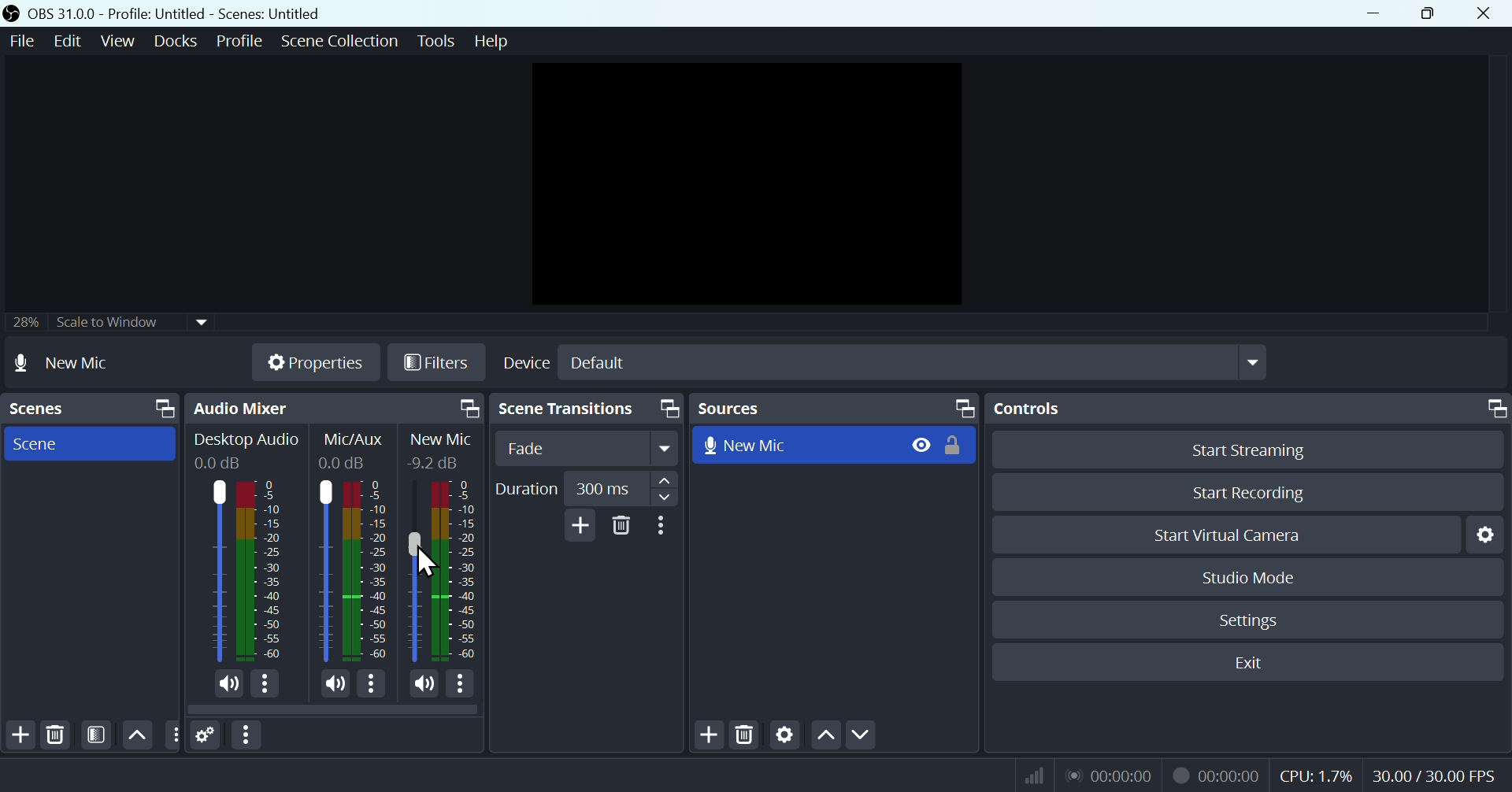 The image size is (1512, 792). Describe the element at coordinates (442, 440) in the screenshot. I see `New Mic` at that location.